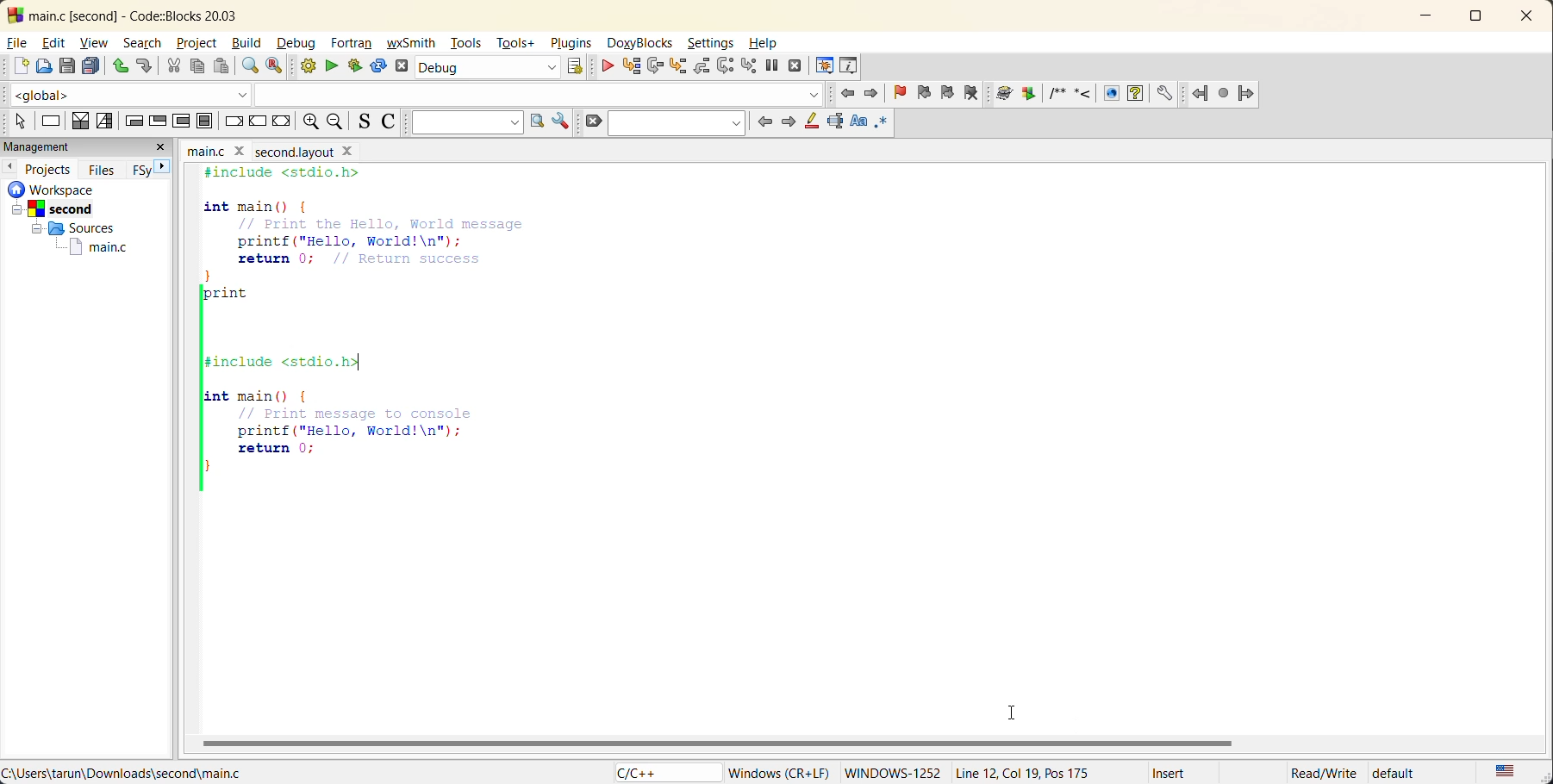  I want to click on wxsmith, so click(413, 44).